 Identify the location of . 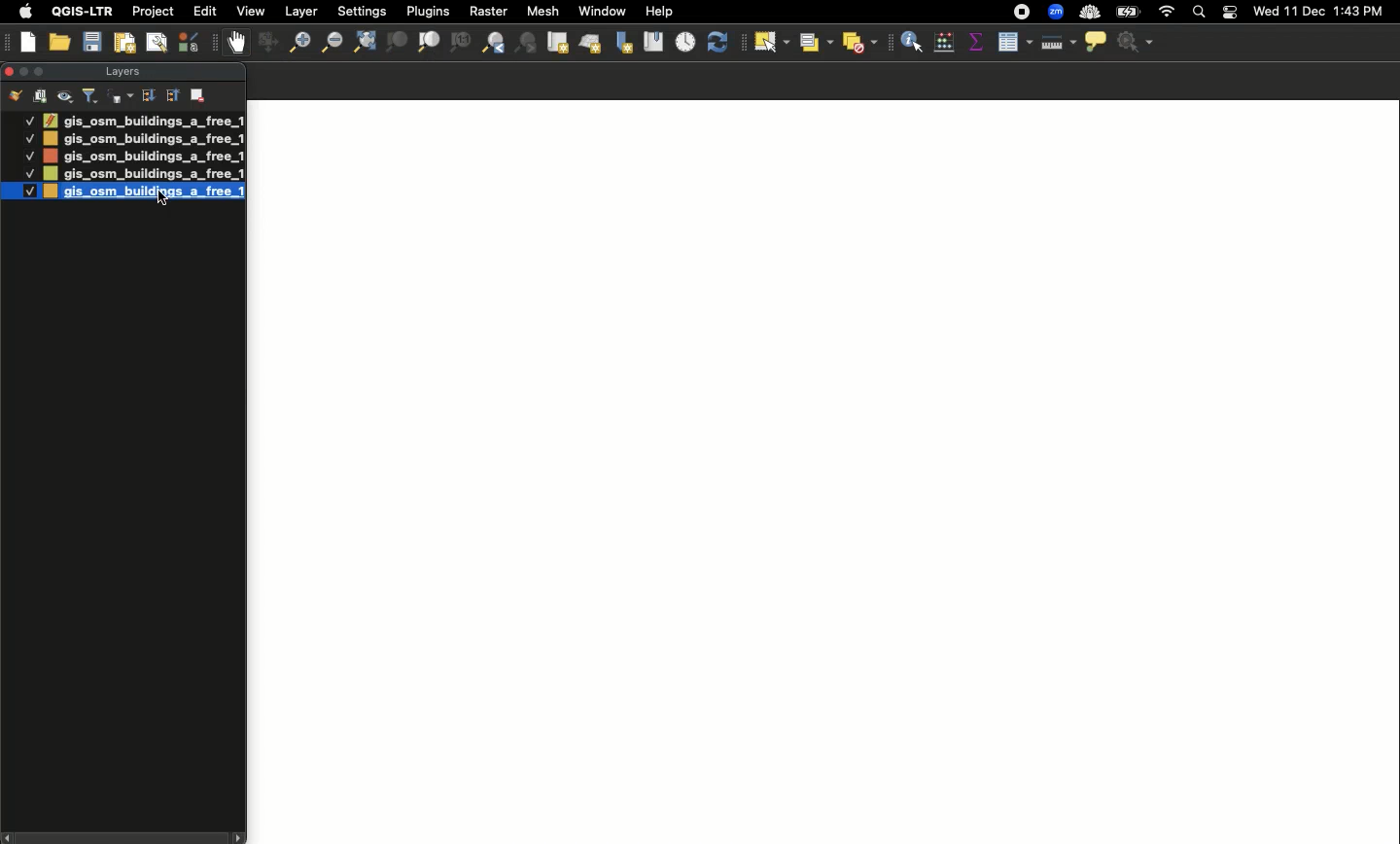
(891, 43).